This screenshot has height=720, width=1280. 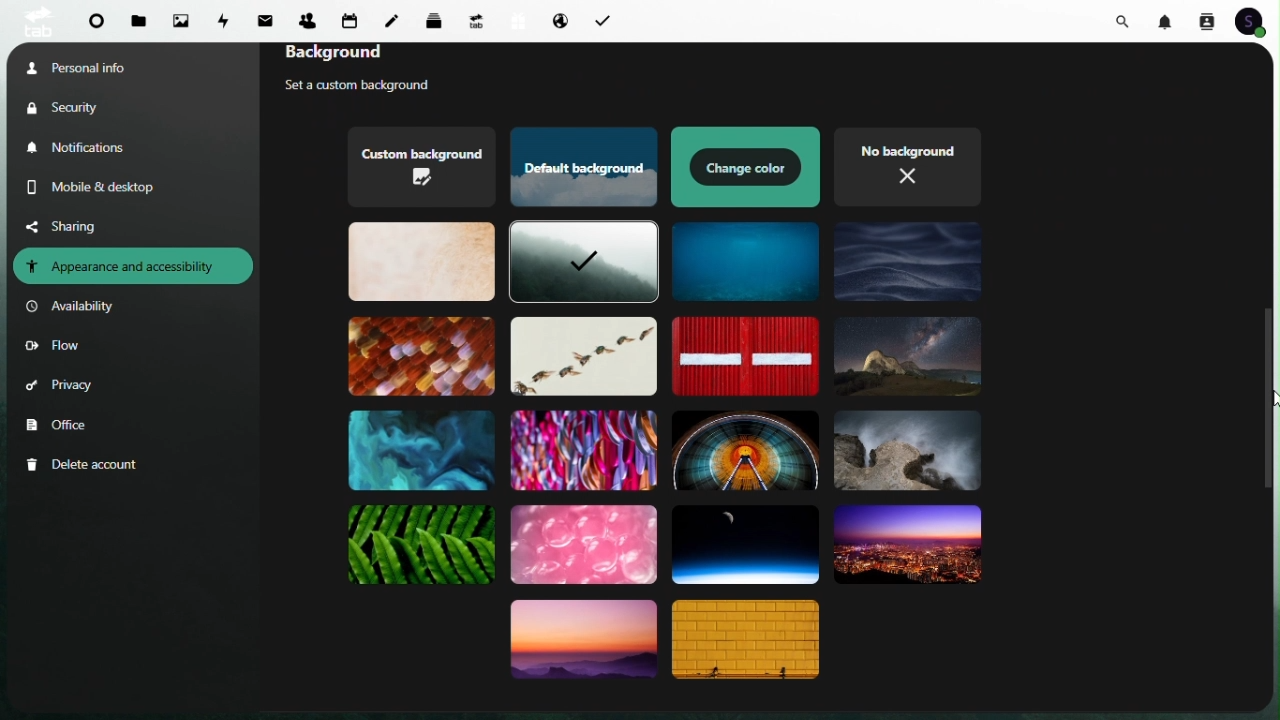 What do you see at coordinates (601, 19) in the screenshot?
I see `Tasks` at bounding box center [601, 19].